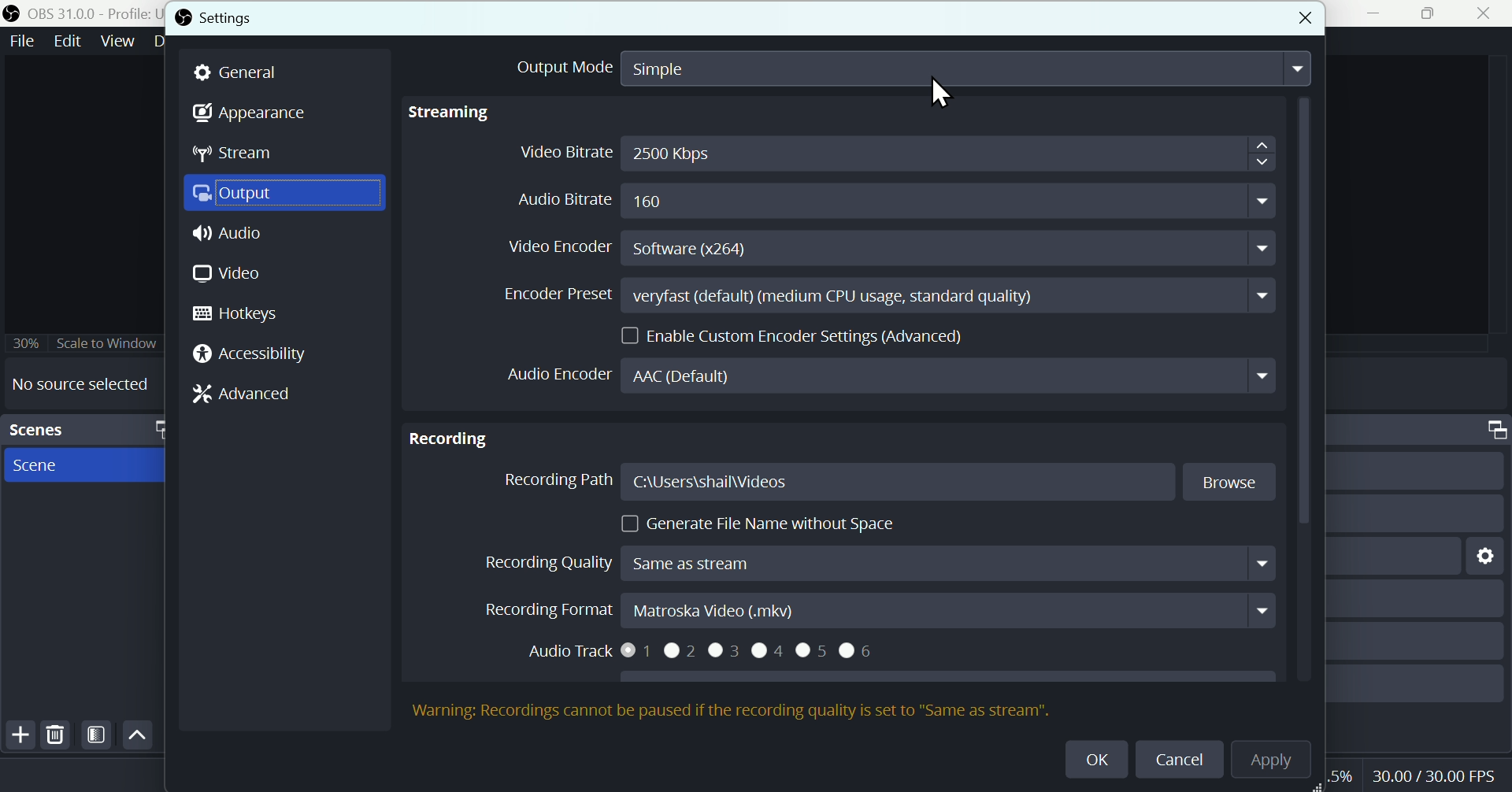 This screenshot has height=792, width=1512. I want to click on Apply, so click(1280, 761).